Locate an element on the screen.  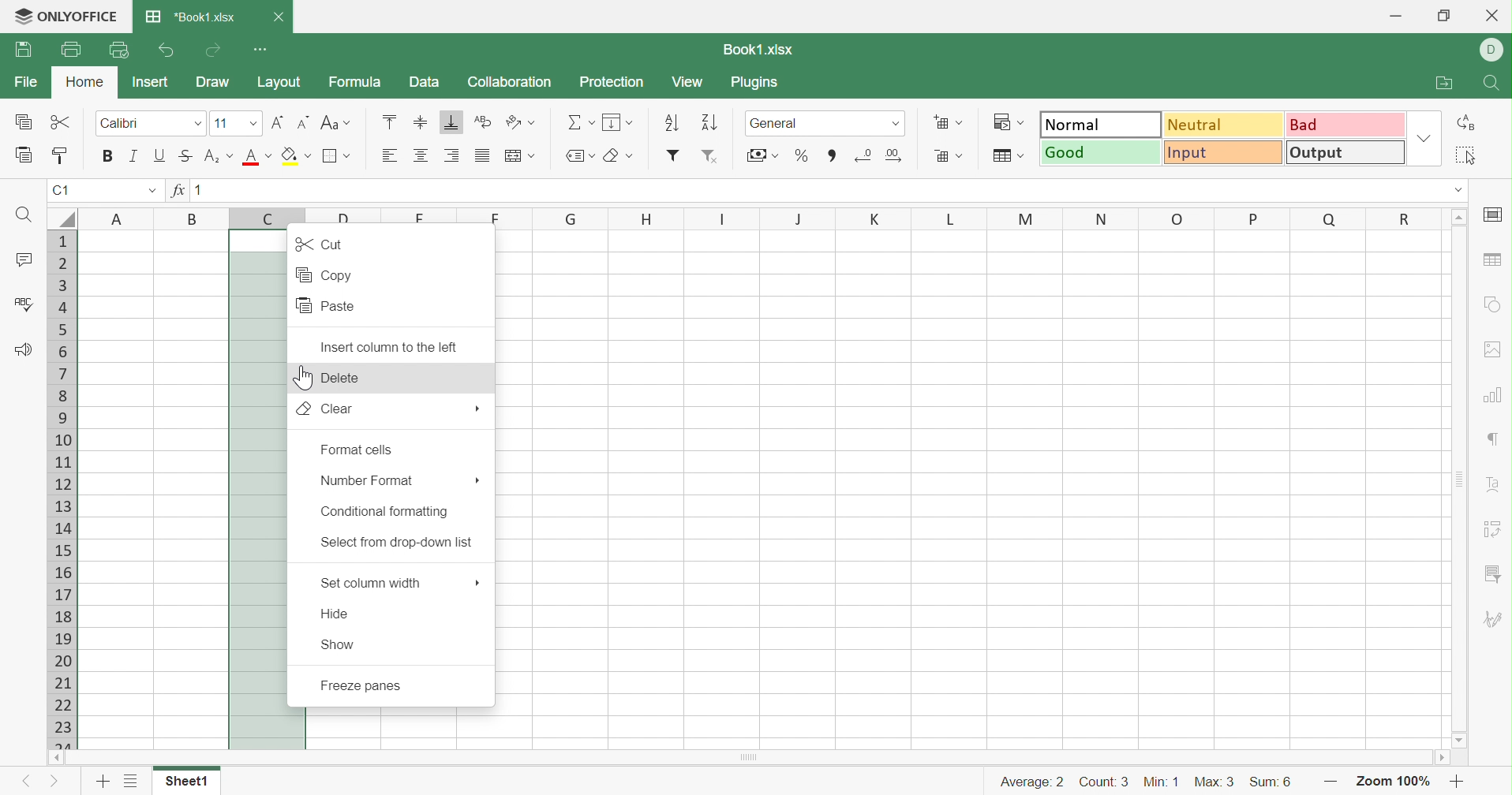
View is located at coordinates (687, 82).